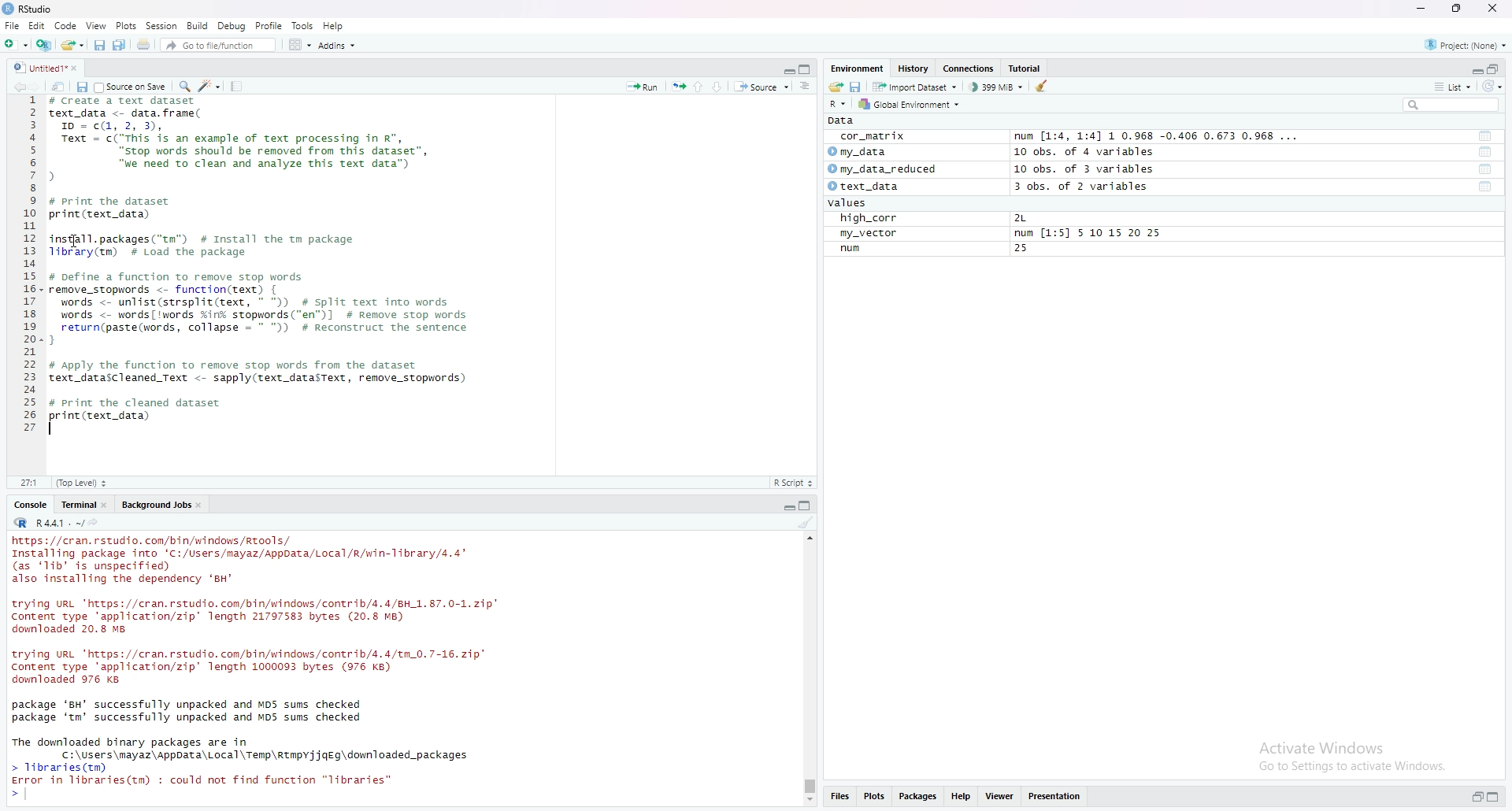 The height and width of the screenshot is (811, 1512). I want to click on 399MB, so click(999, 89).